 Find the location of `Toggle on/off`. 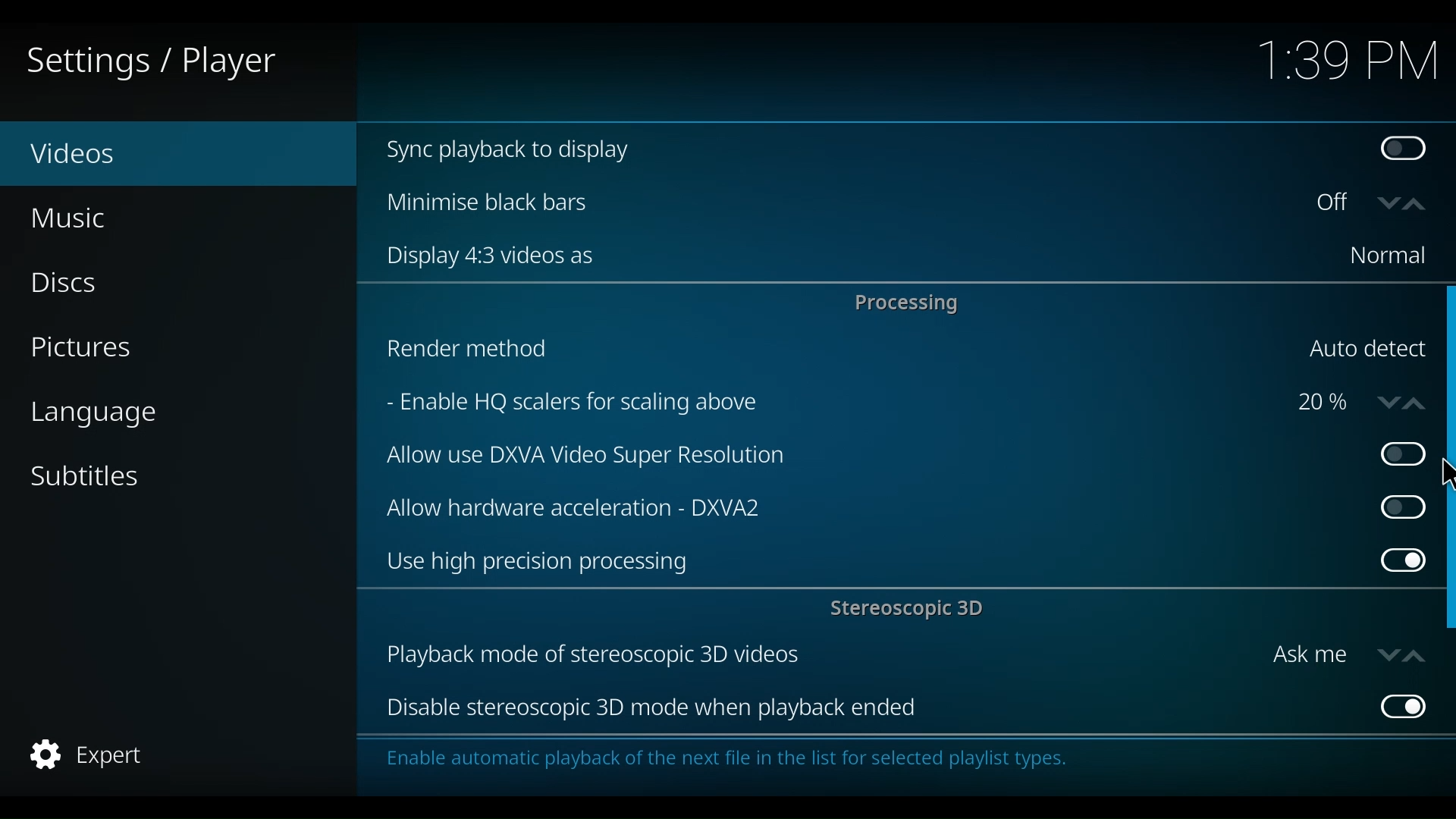

Toggle on/off is located at coordinates (1394, 454).